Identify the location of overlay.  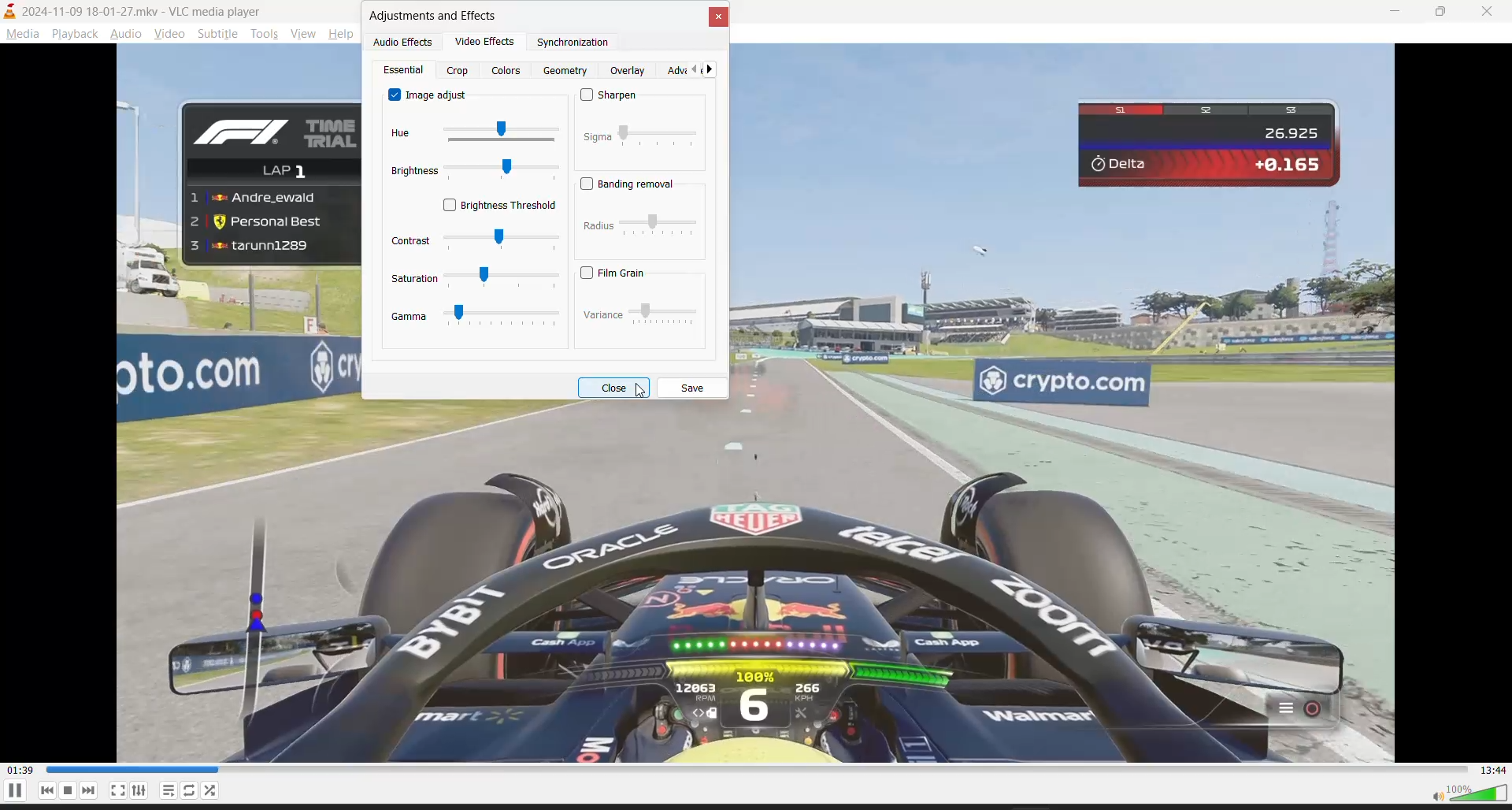
(631, 70).